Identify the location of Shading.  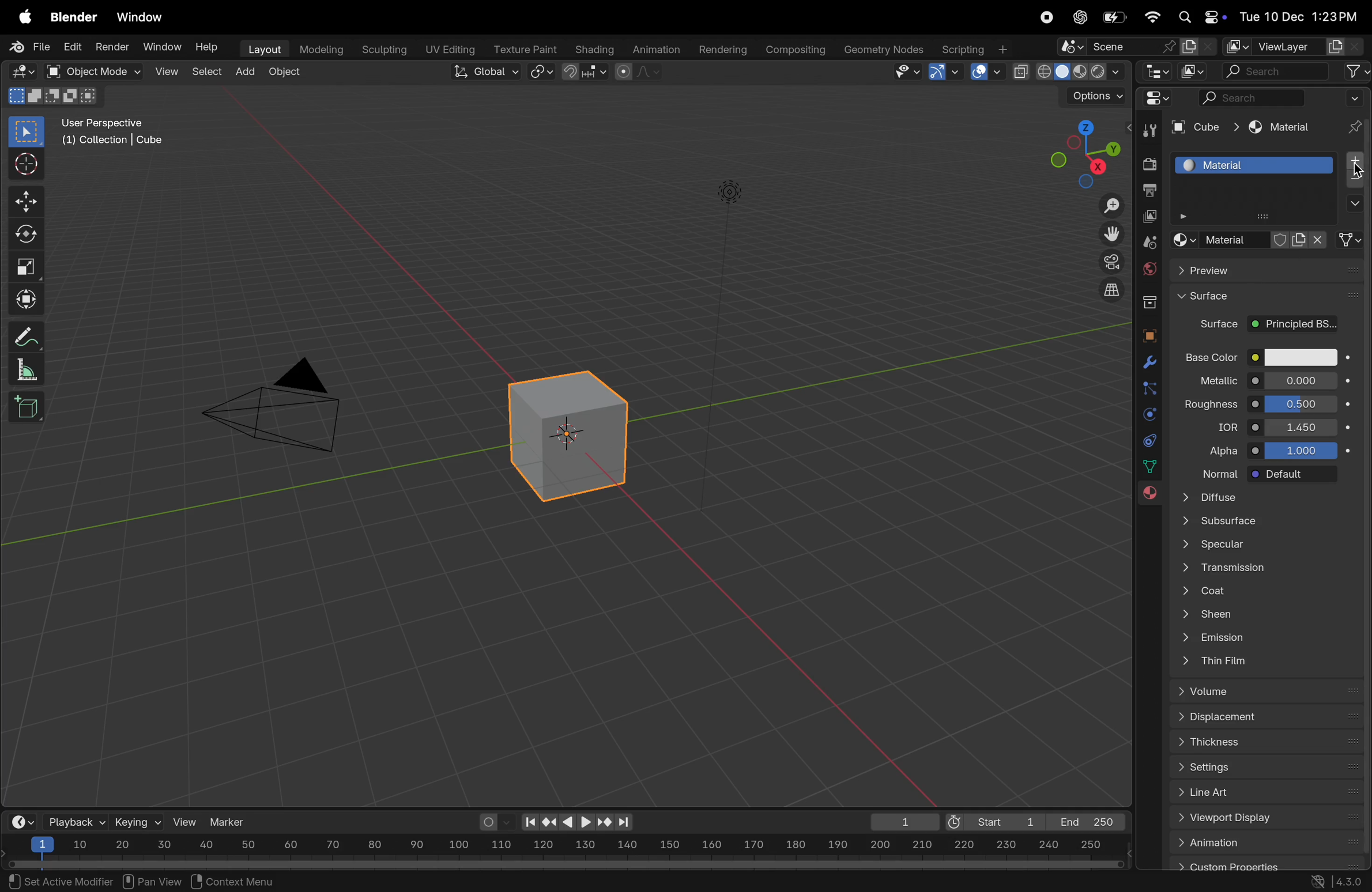
(594, 49).